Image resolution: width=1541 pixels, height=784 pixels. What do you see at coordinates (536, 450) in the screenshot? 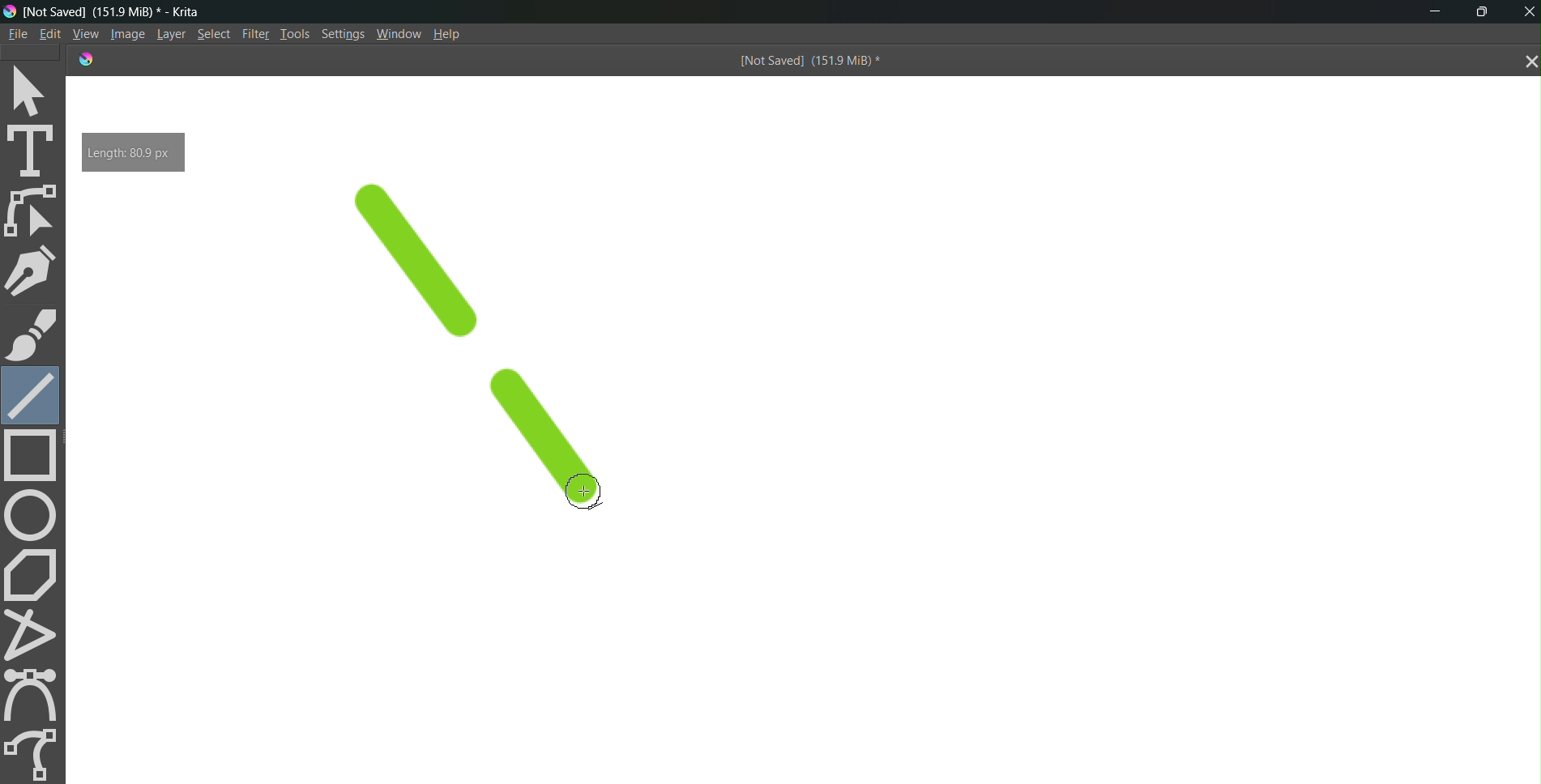
I see `line` at bounding box center [536, 450].